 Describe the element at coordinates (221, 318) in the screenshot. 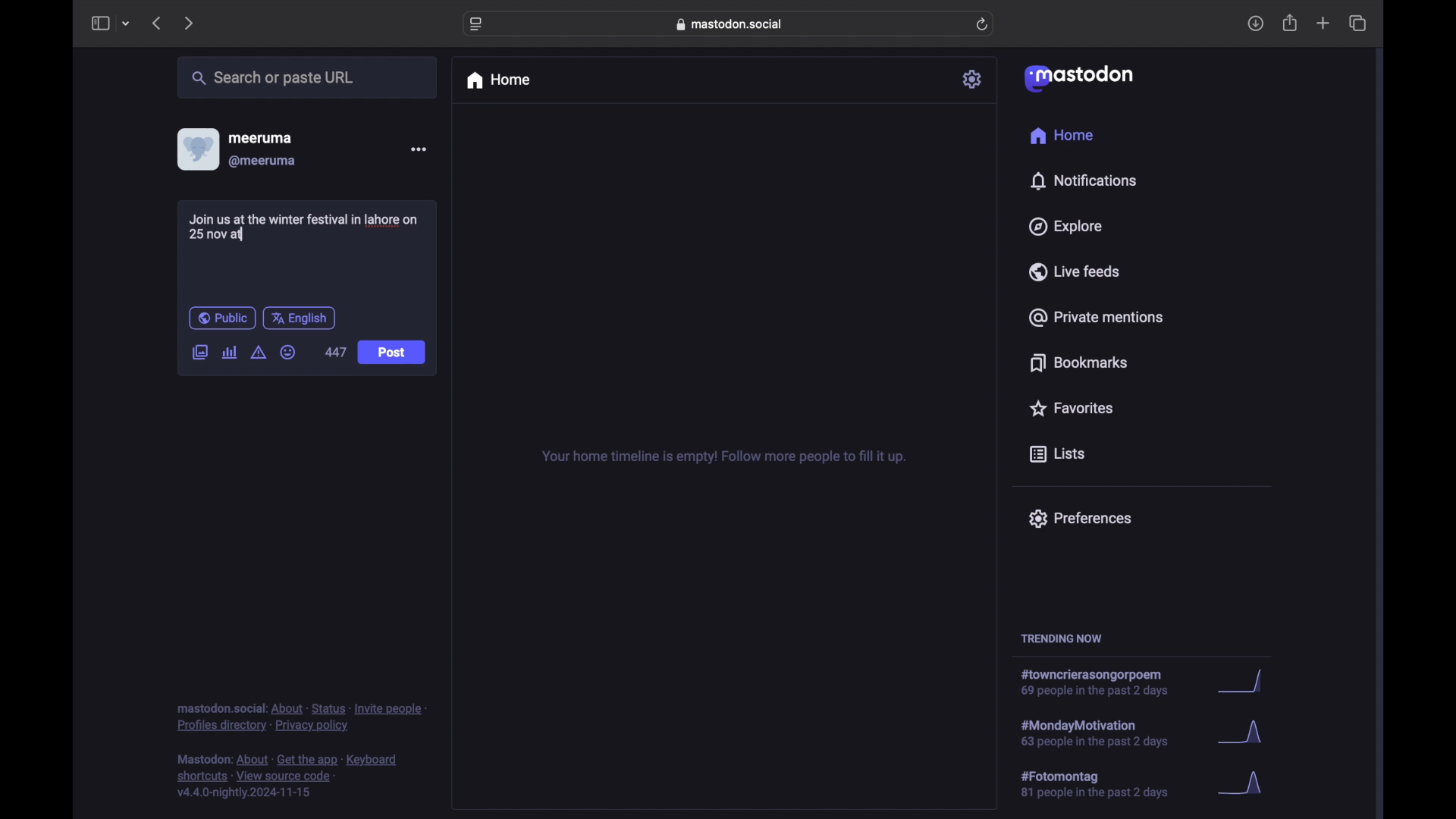

I see `public` at that location.